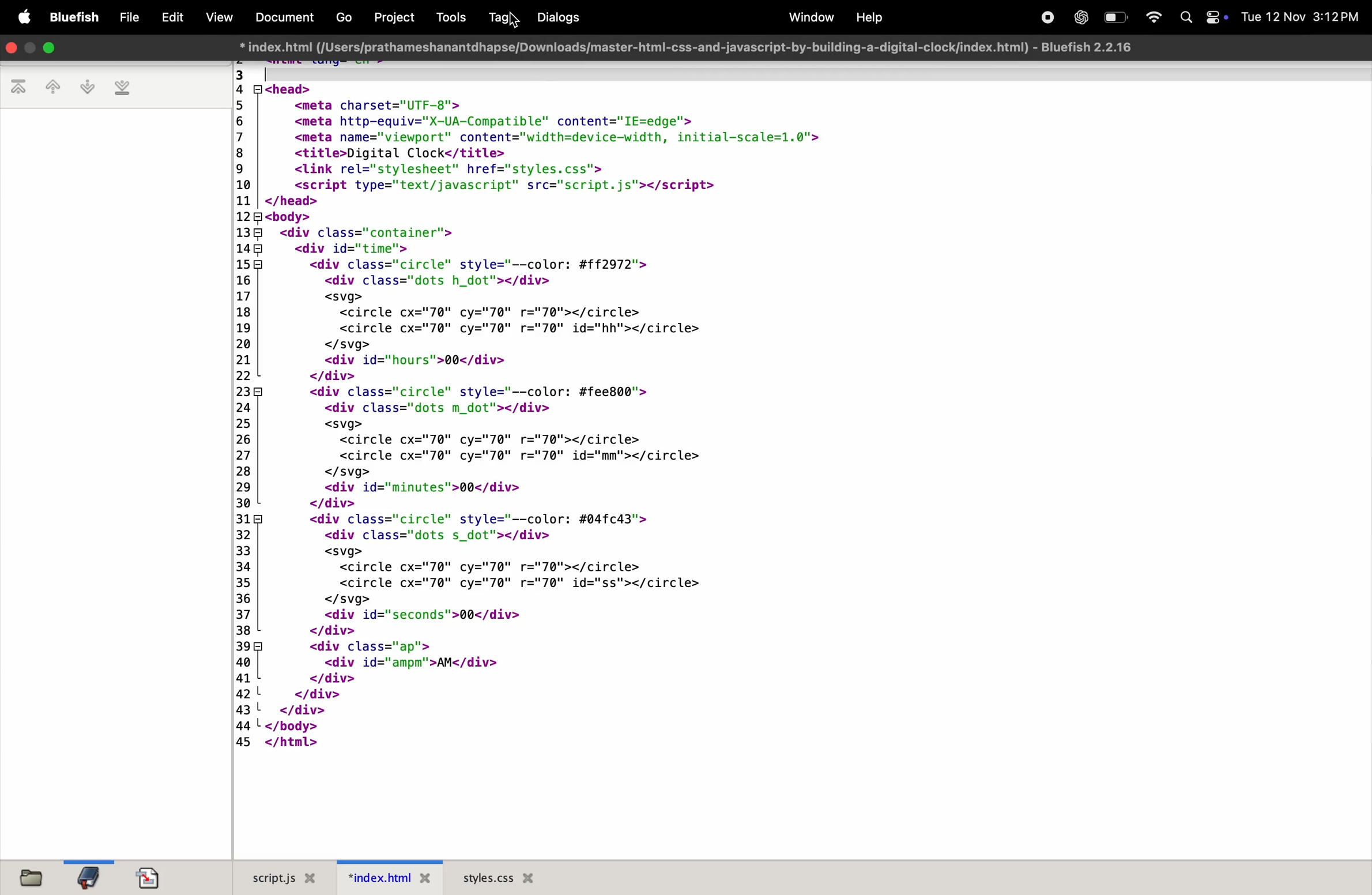  I want to click on tags, so click(499, 18).